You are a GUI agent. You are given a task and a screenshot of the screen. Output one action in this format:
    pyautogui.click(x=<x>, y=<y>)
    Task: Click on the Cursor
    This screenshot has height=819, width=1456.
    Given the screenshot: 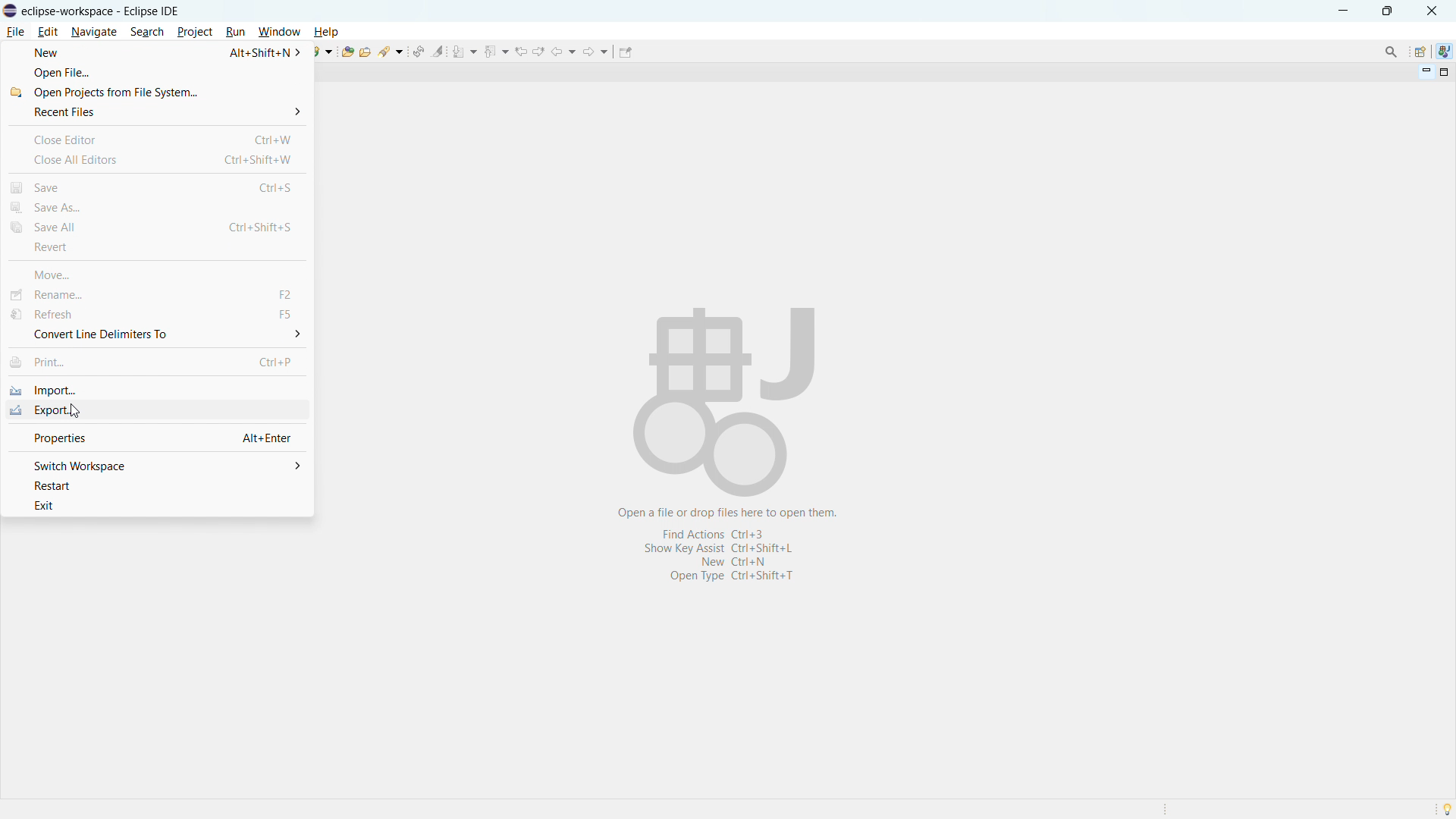 What is the action you would take?
    pyautogui.click(x=79, y=408)
    